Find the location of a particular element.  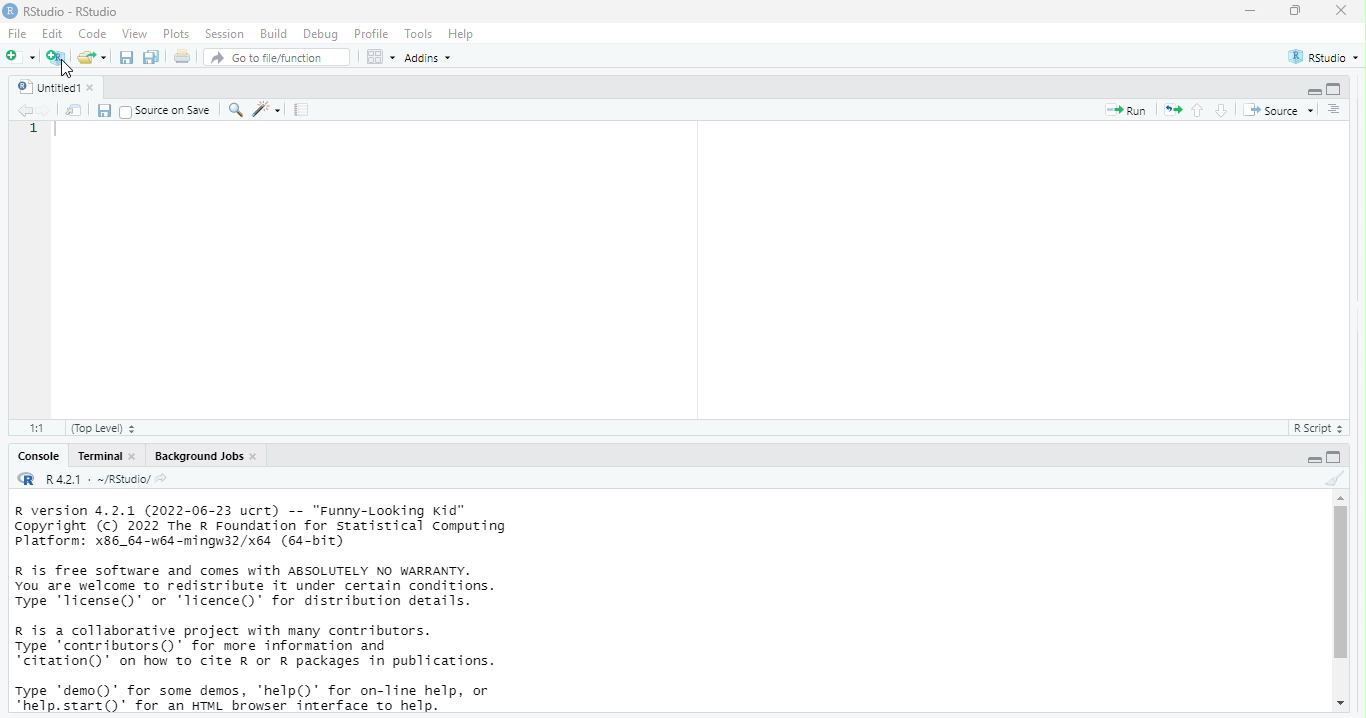

RStudio - RStudio is located at coordinates (75, 11).